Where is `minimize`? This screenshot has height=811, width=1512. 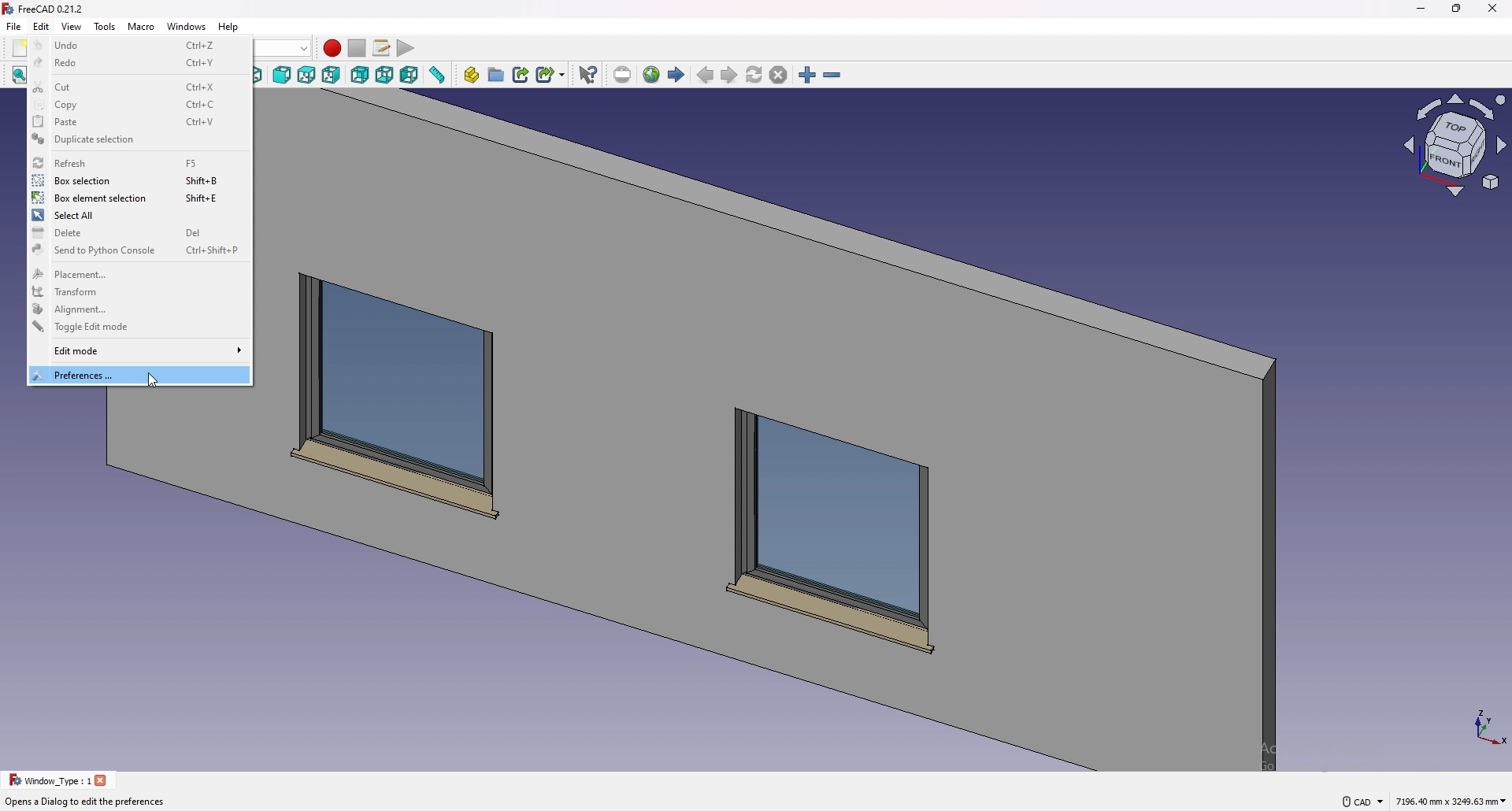
minimize is located at coordinates (1417, 9).